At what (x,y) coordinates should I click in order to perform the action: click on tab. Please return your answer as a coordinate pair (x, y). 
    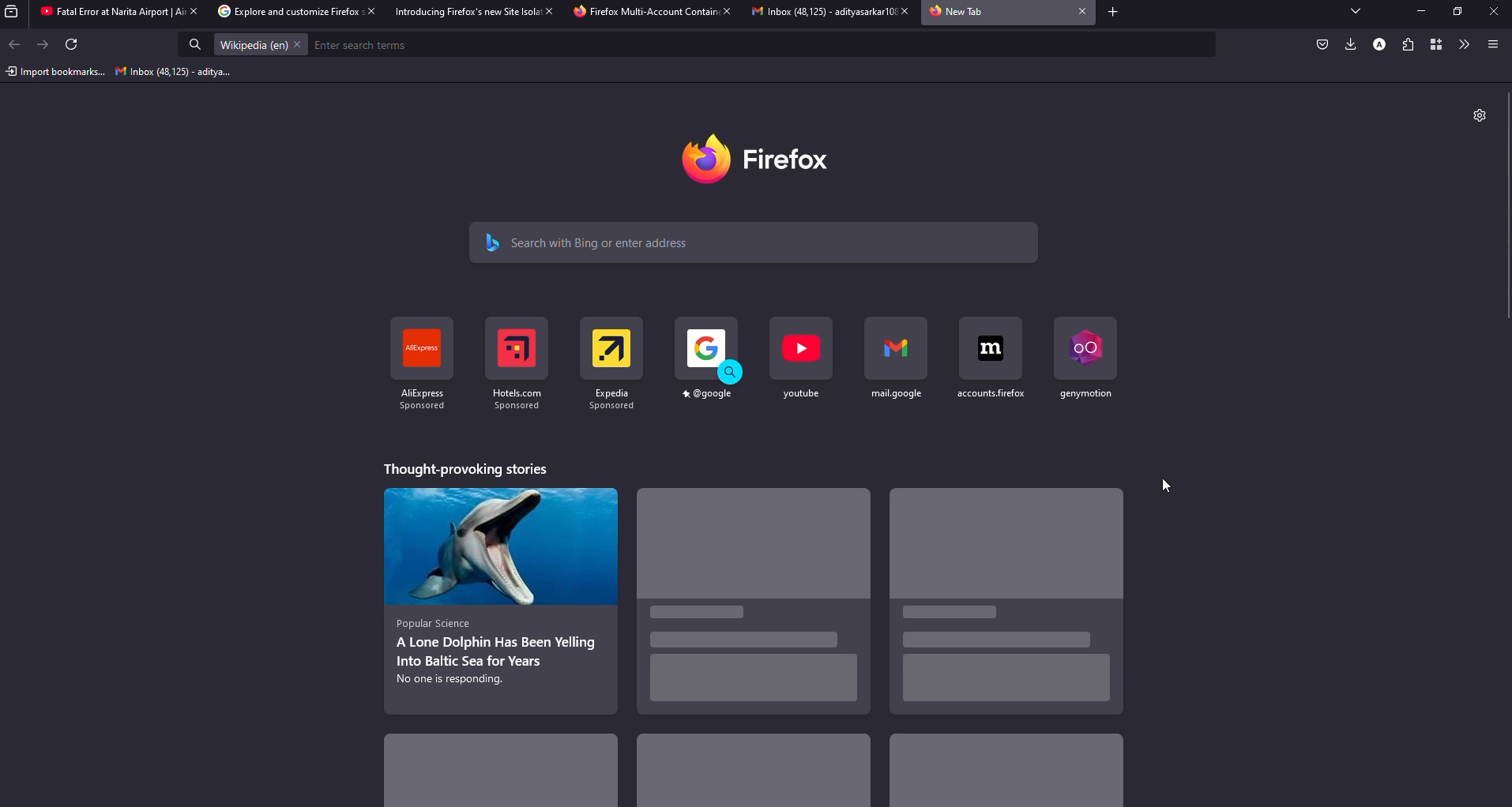
    Looking at the image, I should click on (280, 12).